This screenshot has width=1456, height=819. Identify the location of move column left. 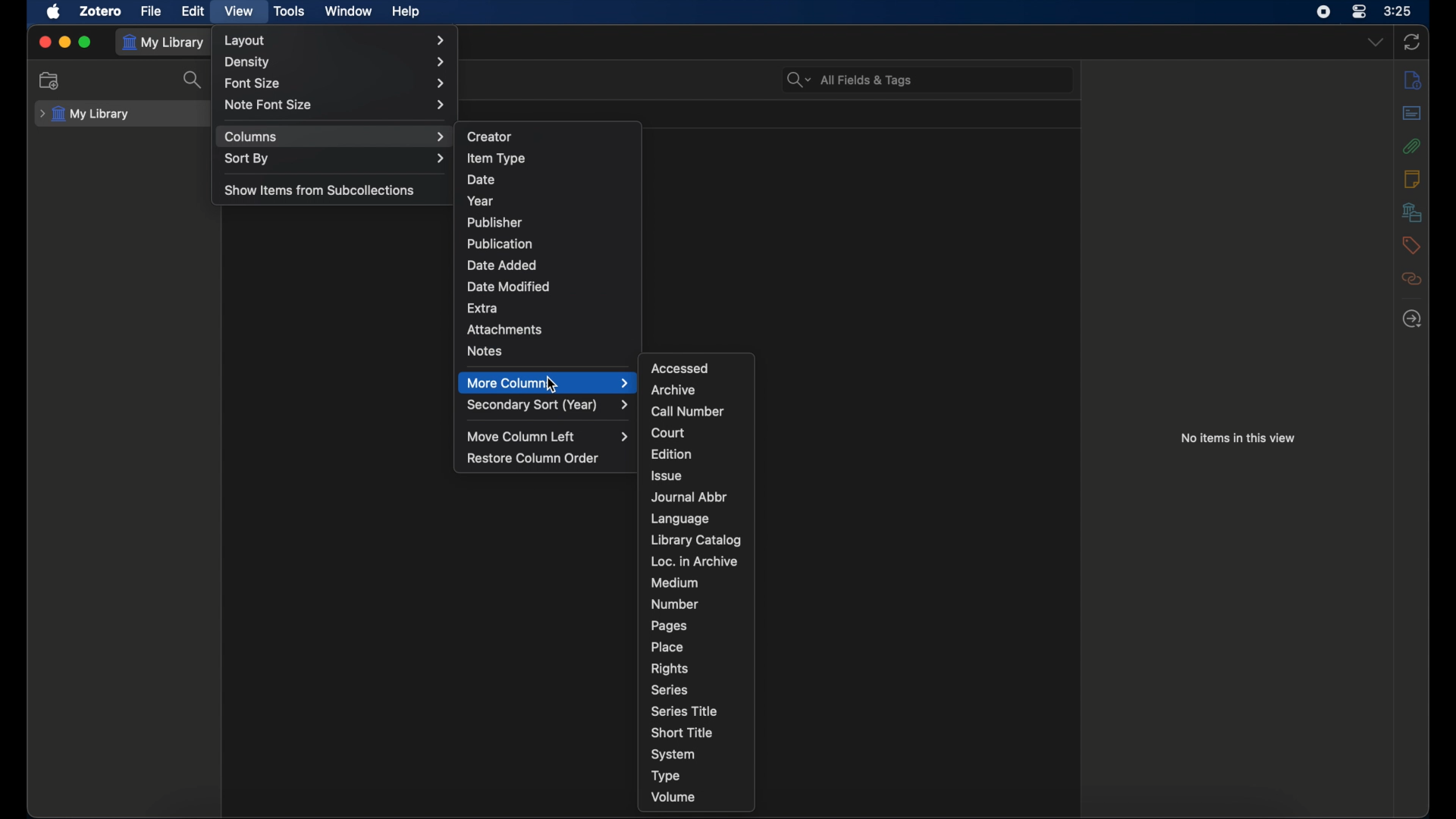
(548, 436).